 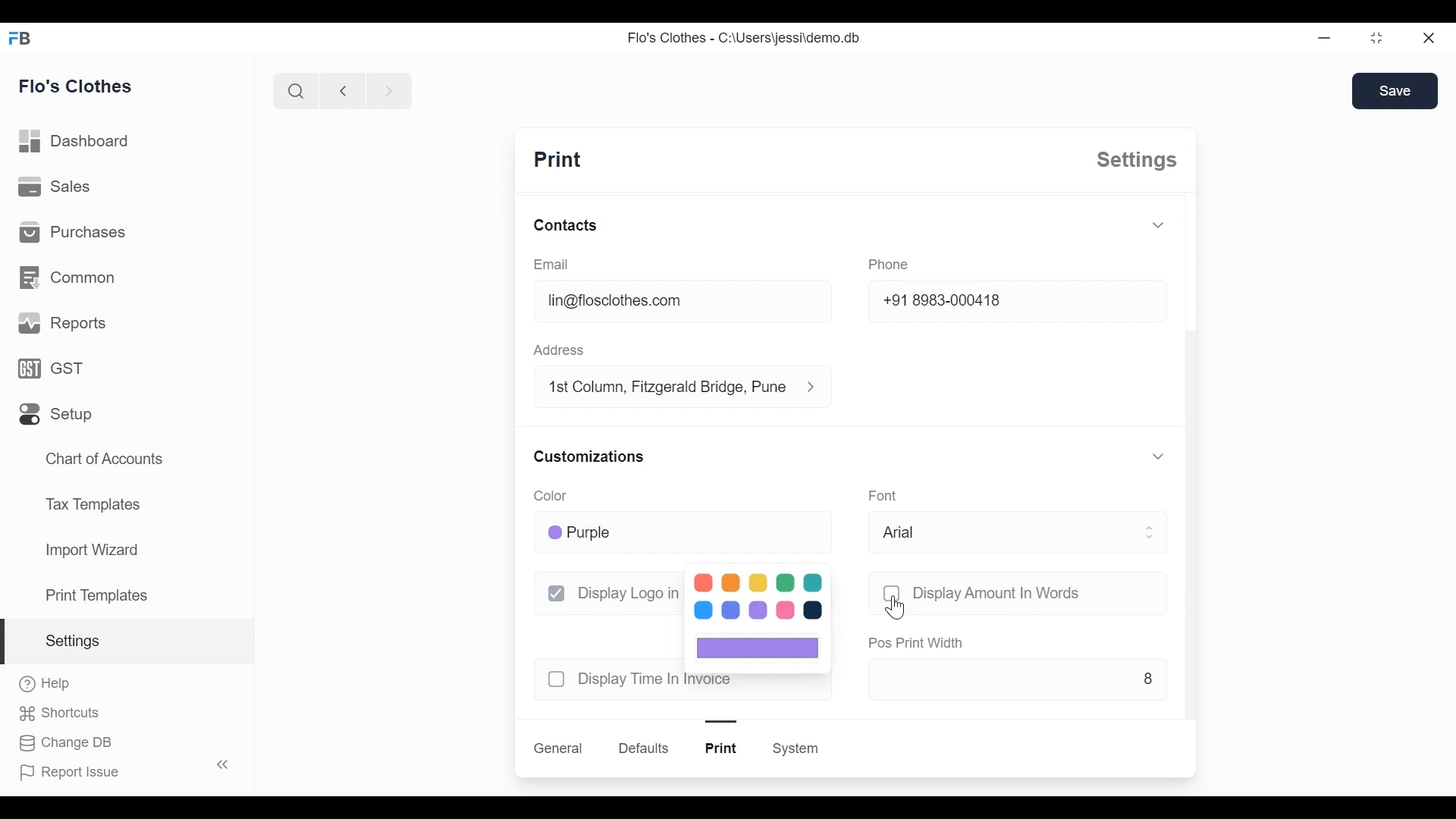 I want to click on import wizard, so click(x=91, y=550).